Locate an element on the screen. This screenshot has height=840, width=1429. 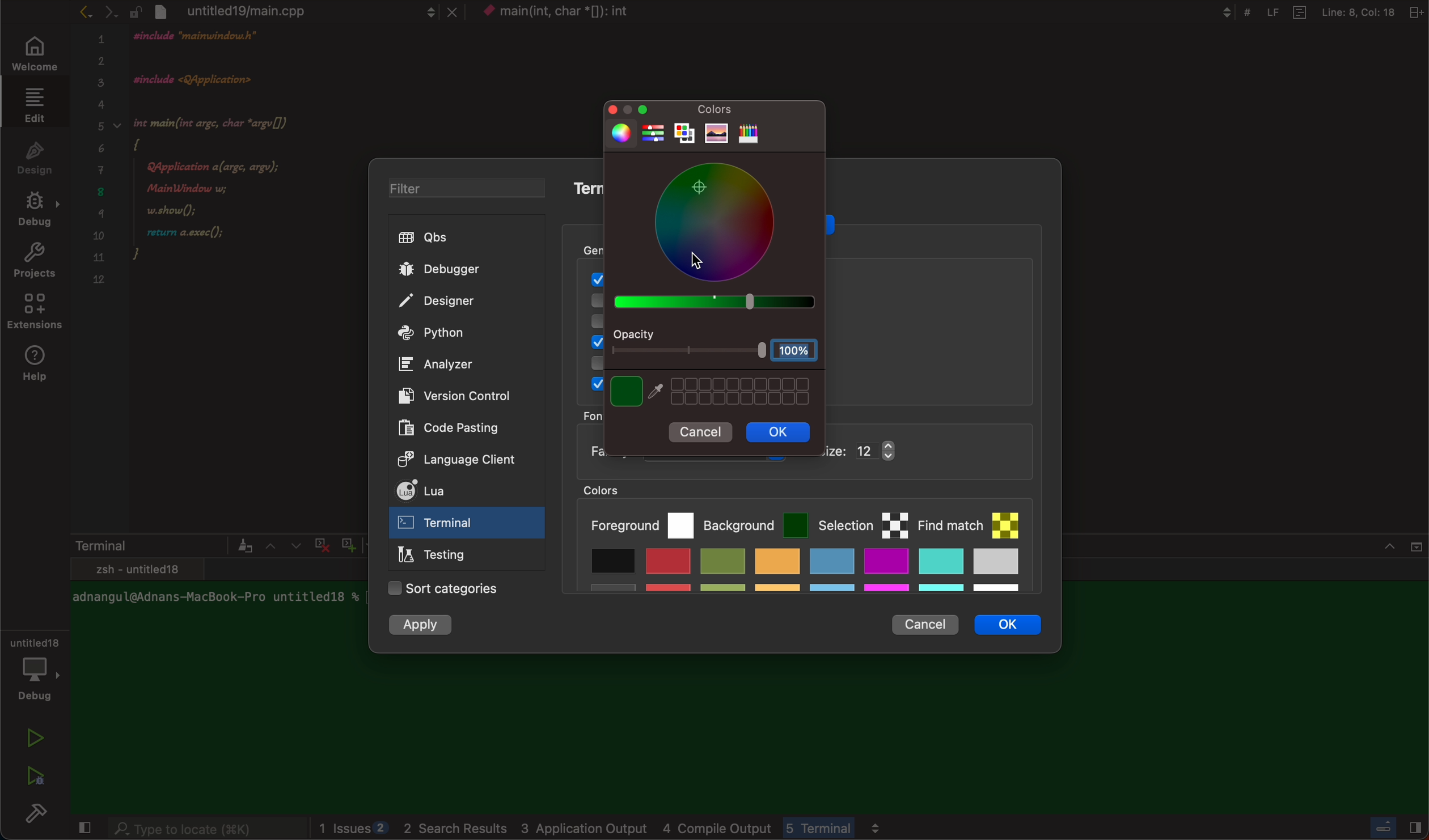
close bar is located at coordinates (1373, 553).